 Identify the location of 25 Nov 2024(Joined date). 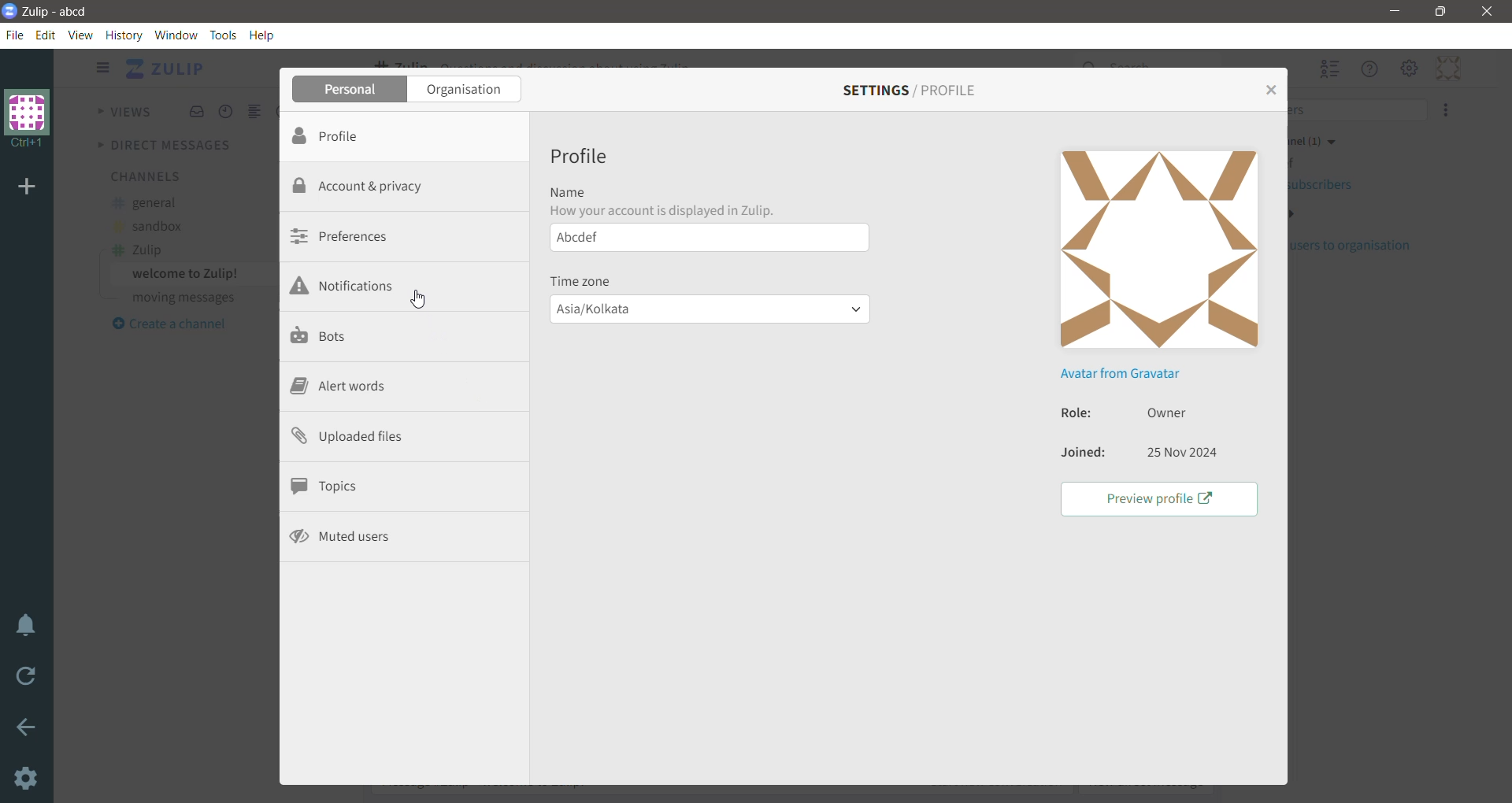
(1184, 455).